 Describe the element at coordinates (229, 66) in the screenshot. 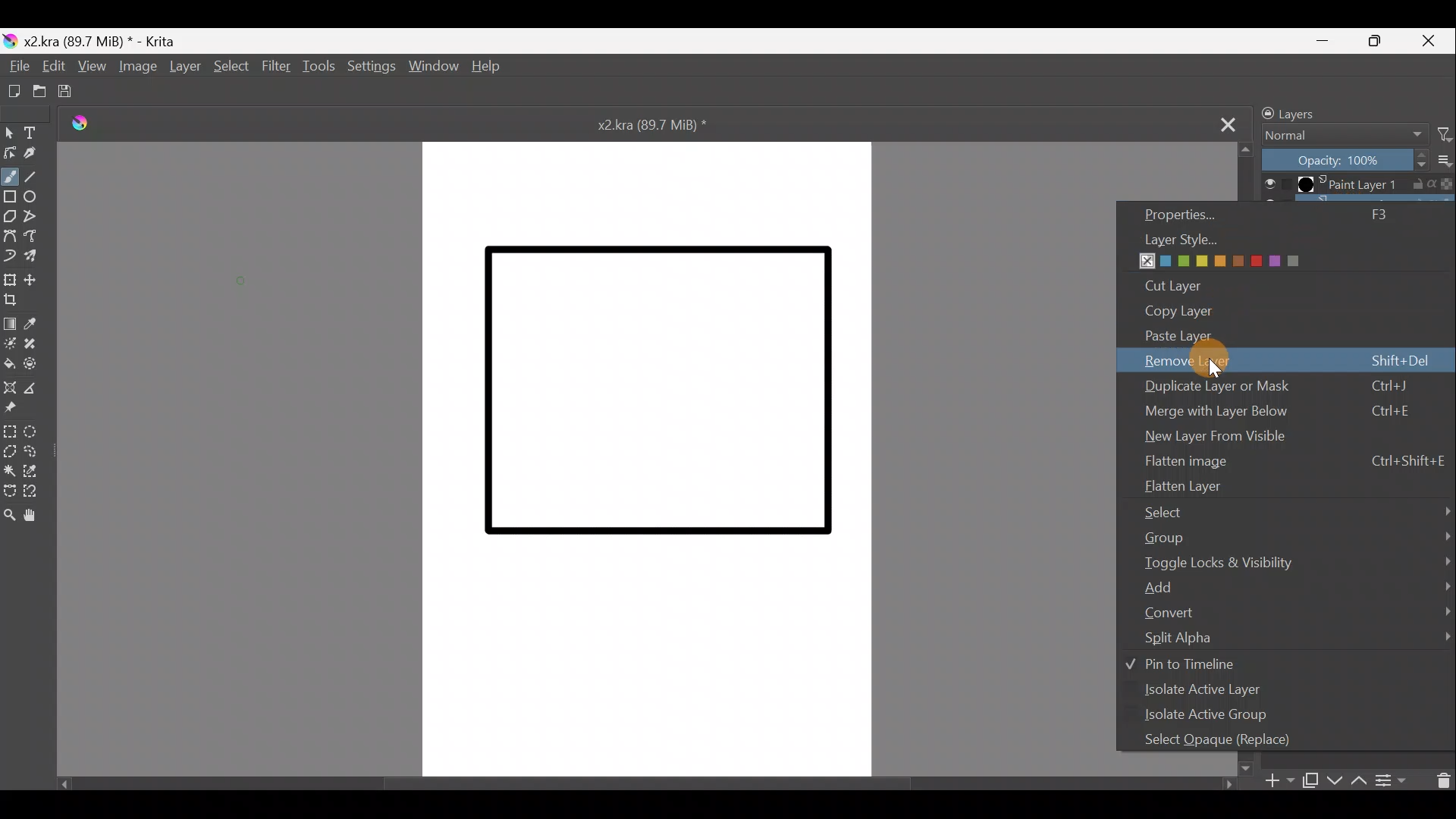

I see `Select` at that location.